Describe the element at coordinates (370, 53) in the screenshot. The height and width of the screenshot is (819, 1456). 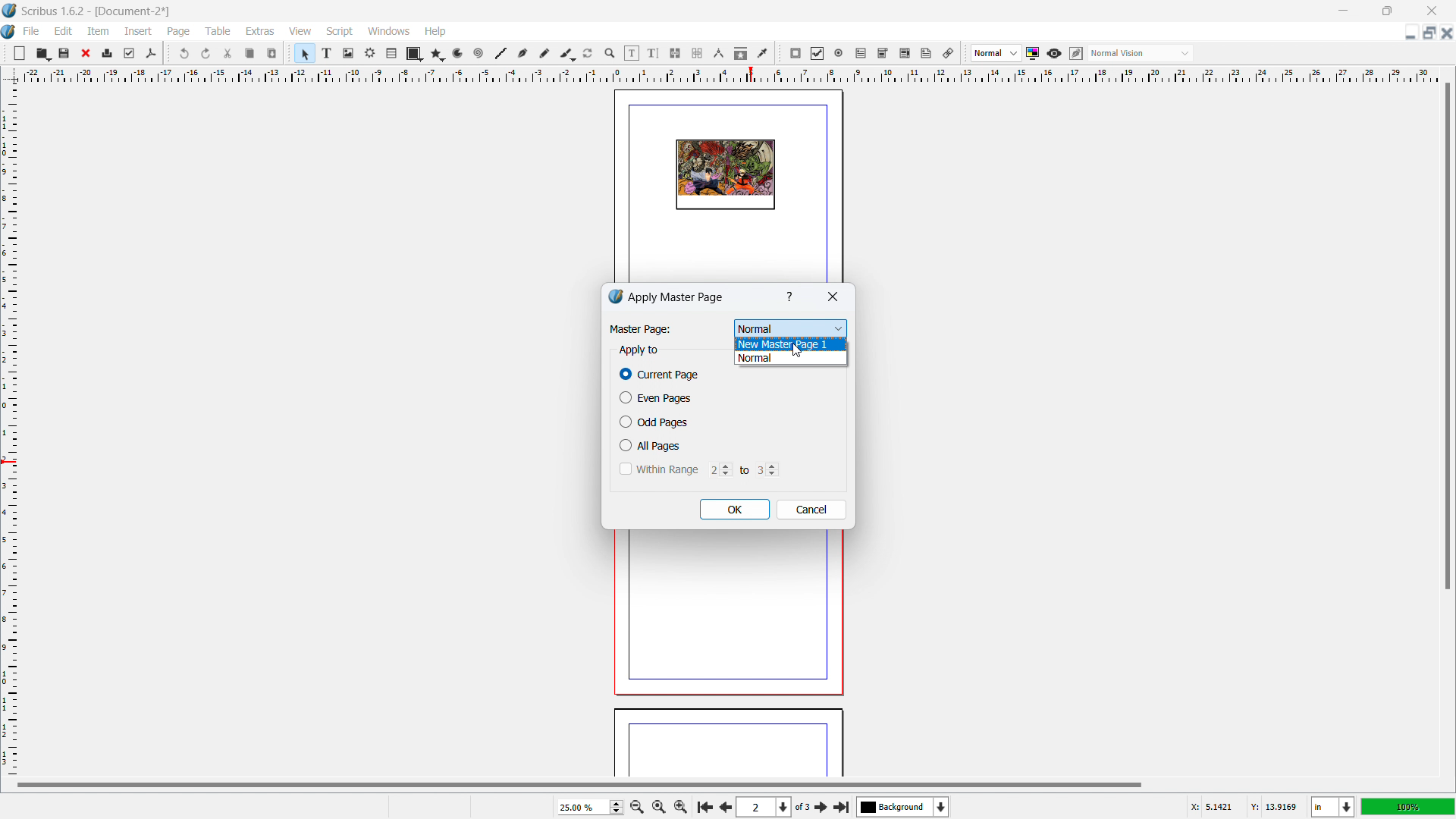
I see `render frame` at that location.